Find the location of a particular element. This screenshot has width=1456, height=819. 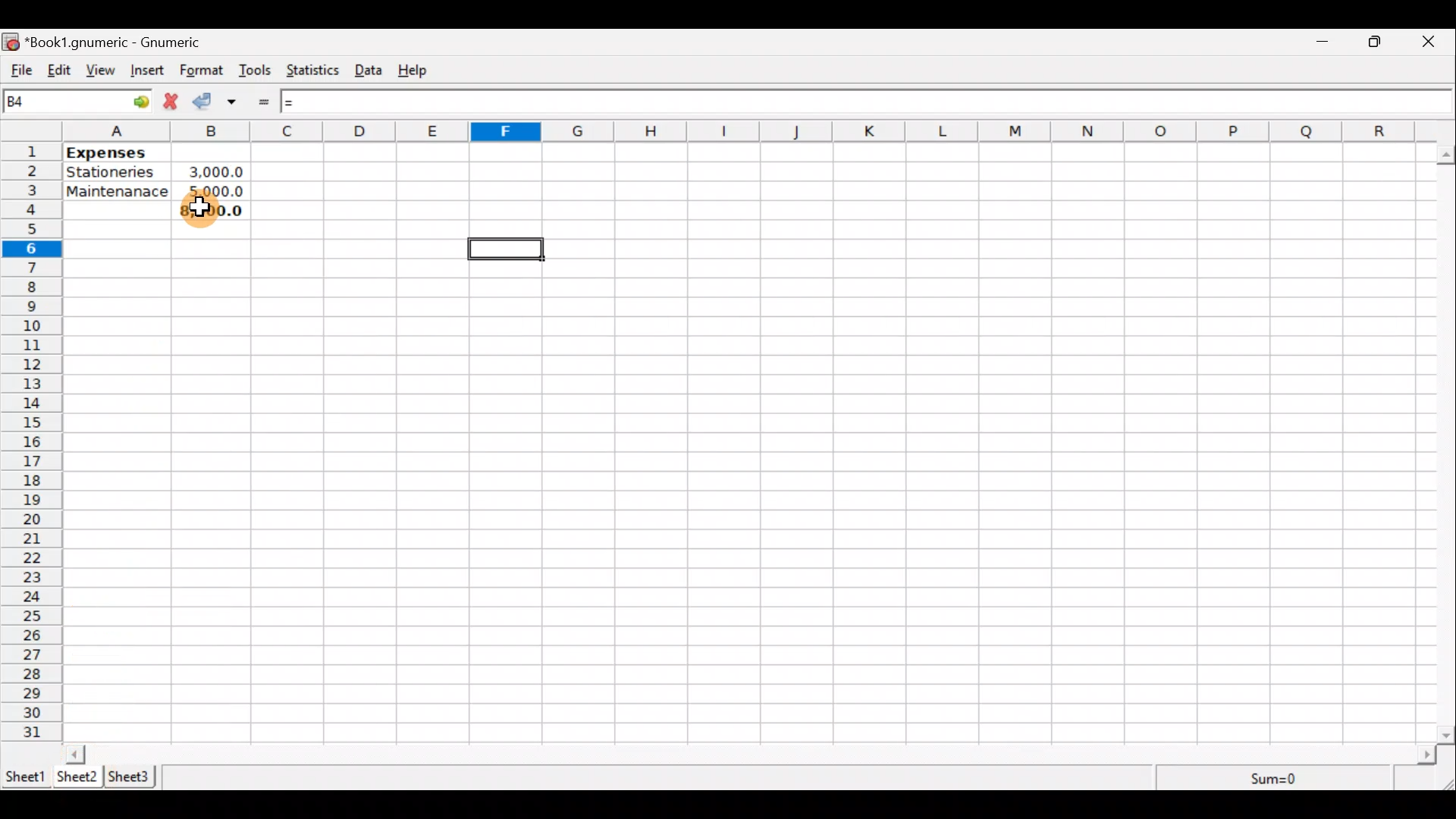

File is located at coordinates (19, 71).